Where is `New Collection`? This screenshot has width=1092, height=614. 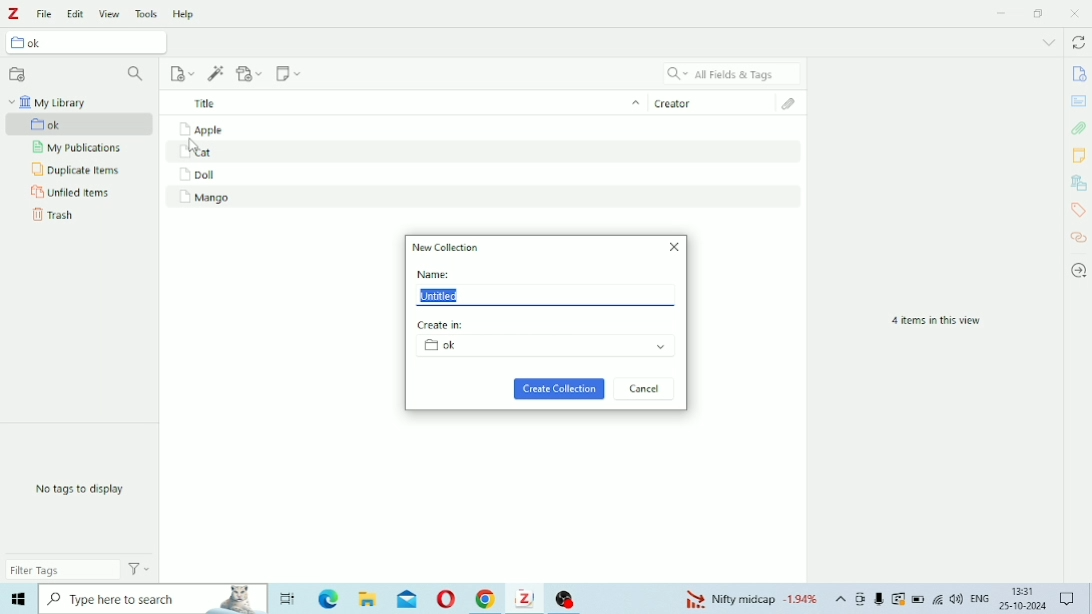 New Collection is located at coordinates (448, 246).